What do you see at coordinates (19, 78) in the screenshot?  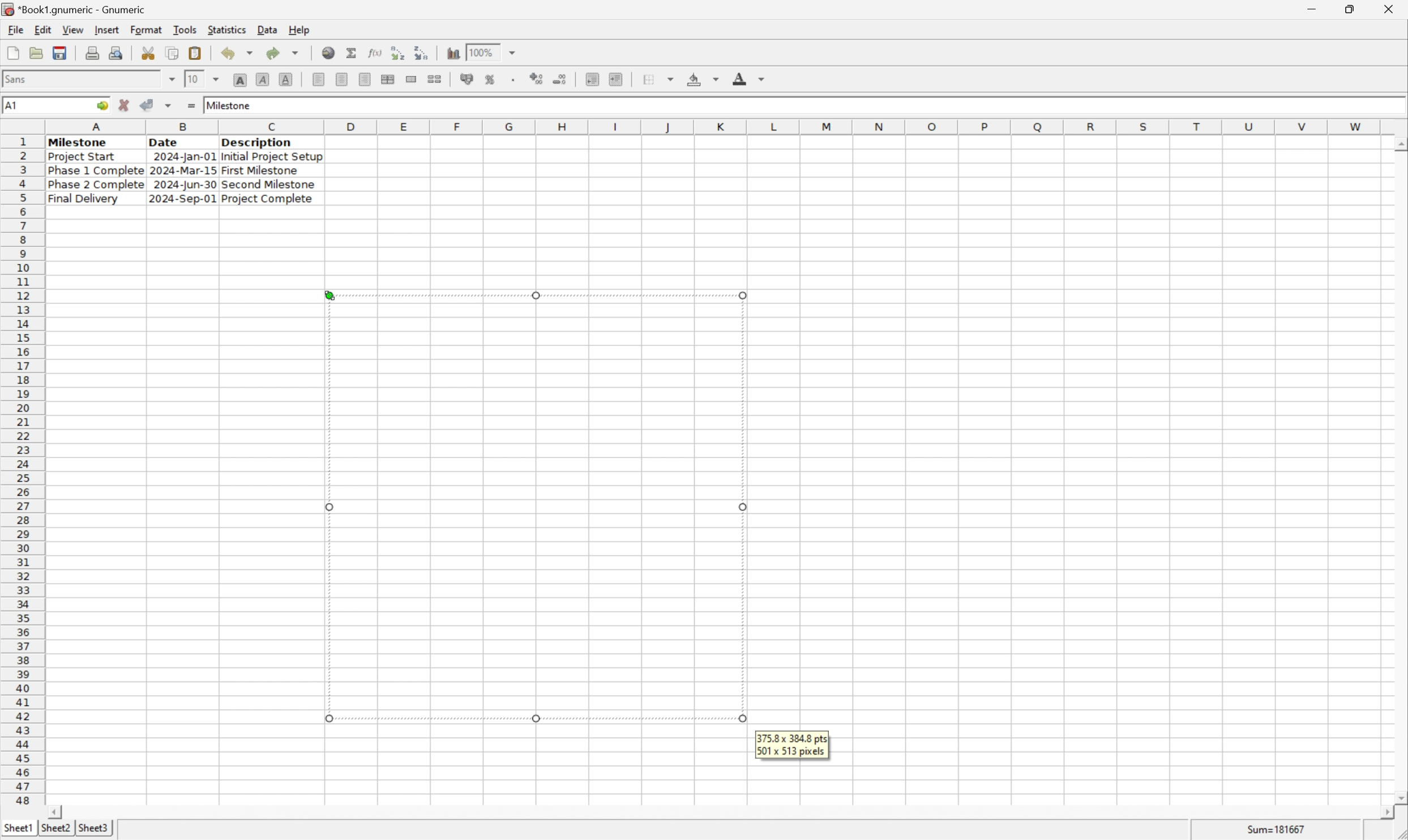 I see `Sans` at bounding box center [19, 78].